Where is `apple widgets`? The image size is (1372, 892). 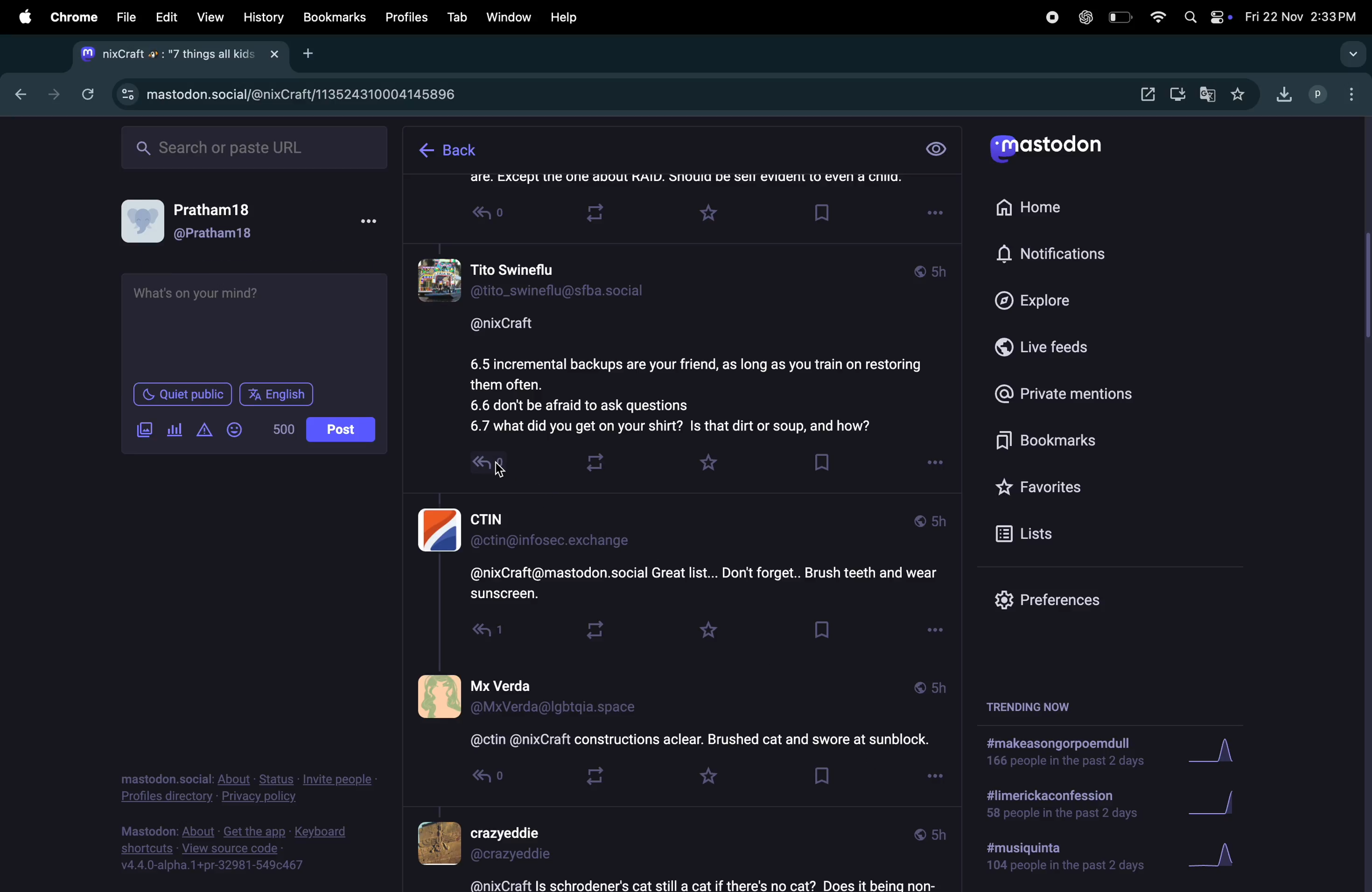 apple widgets is located at coordinates (1208, 17).